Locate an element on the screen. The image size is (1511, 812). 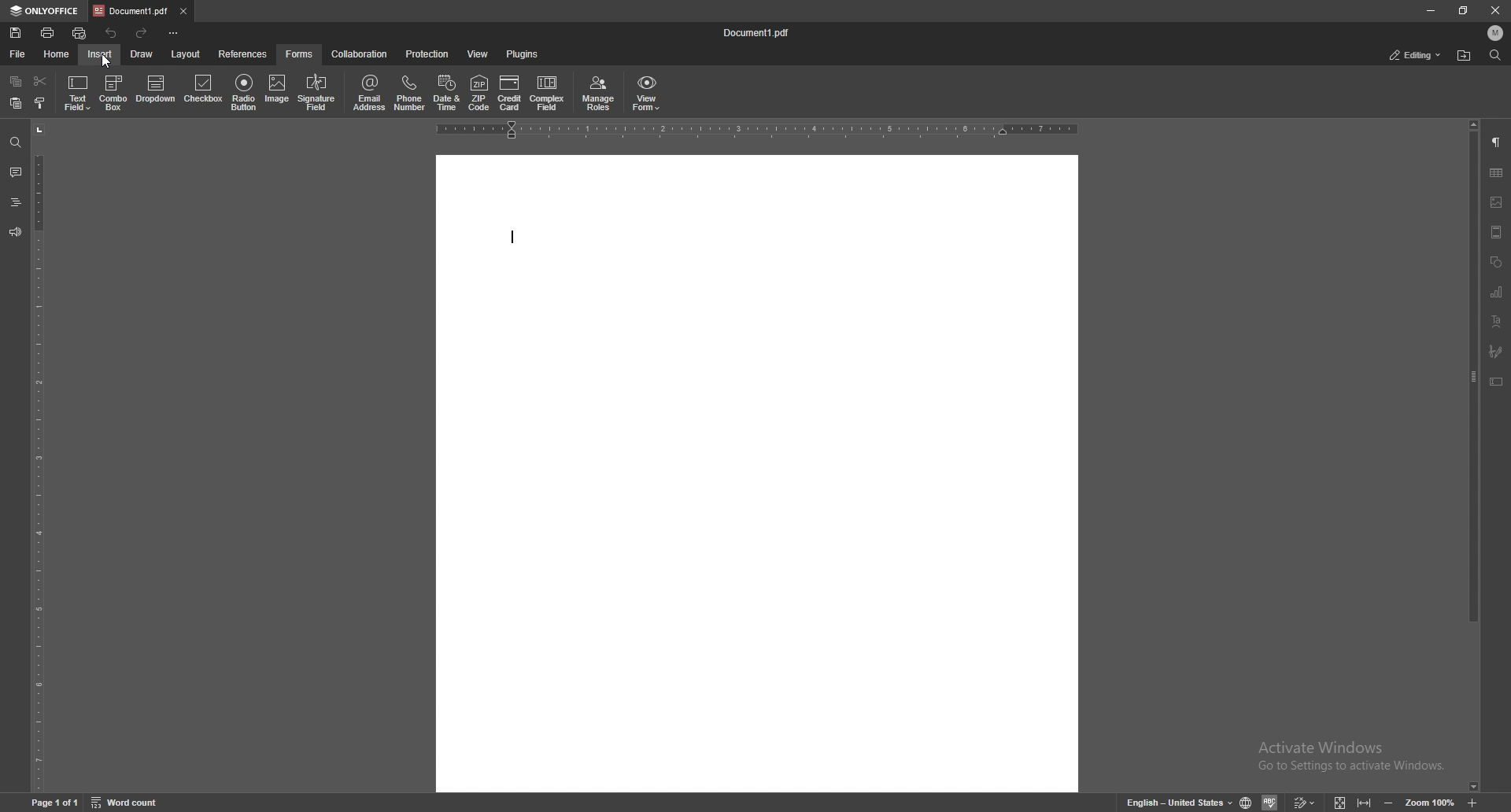
radio button is located at coordinates (244, 93).